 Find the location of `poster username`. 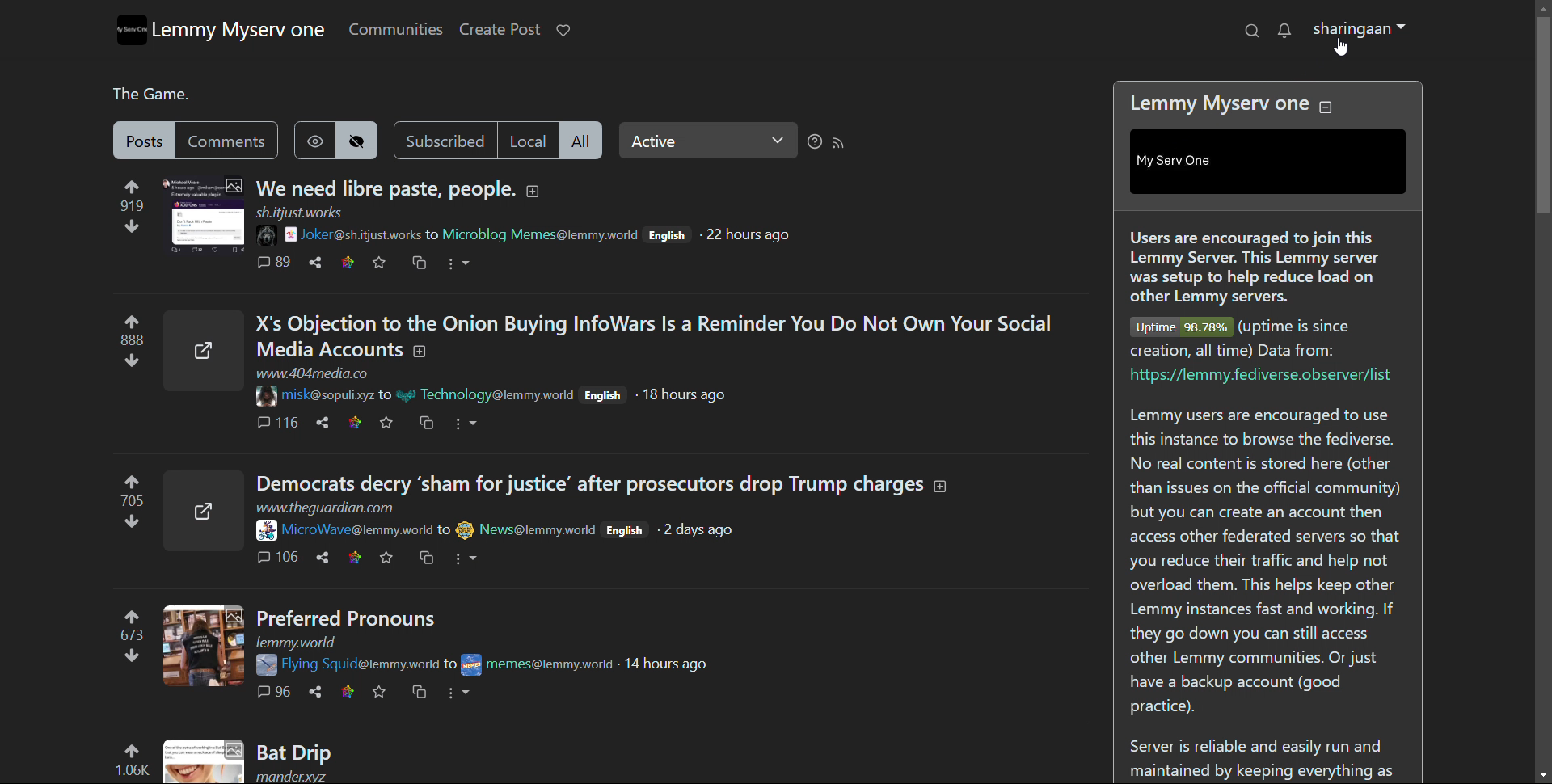

poster username is located at coordinates (361, 234).